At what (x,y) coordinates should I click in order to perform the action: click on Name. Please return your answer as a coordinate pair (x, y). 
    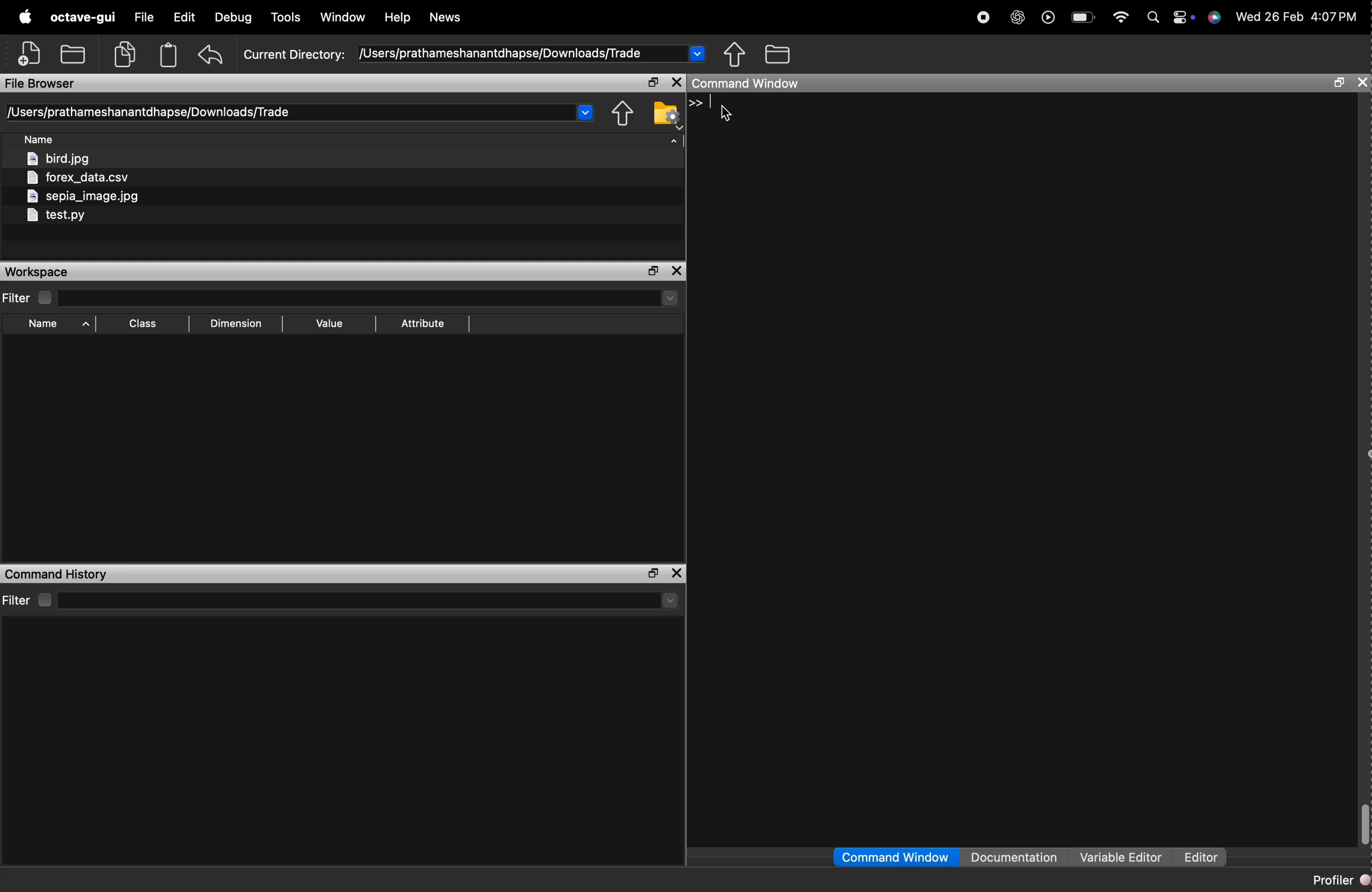
    Looking at the image, I should click on (40, 138).